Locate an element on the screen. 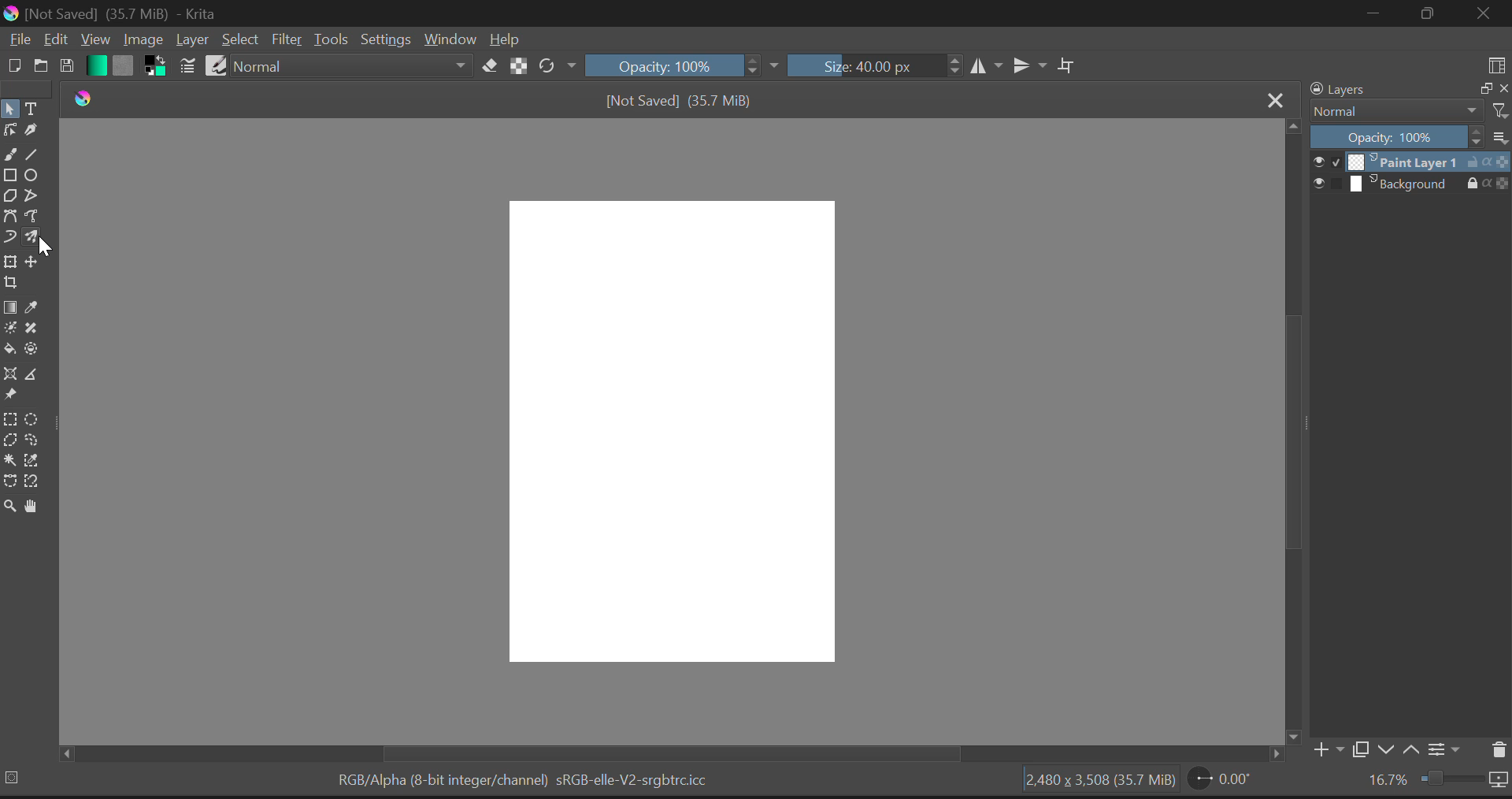 This screenshot has height=799, width=1512. Texts is located at coordinates (32, 107).